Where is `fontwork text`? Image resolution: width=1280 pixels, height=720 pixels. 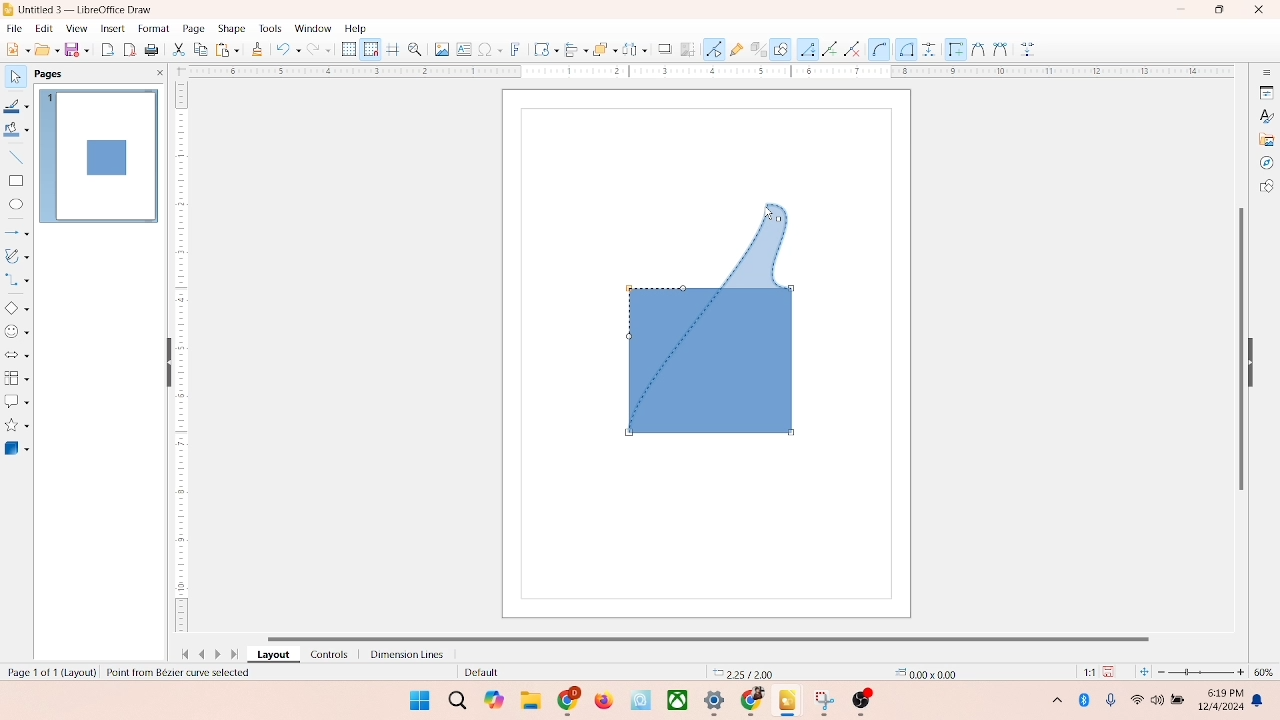 fontwork text is located at coordinates (516, 47).